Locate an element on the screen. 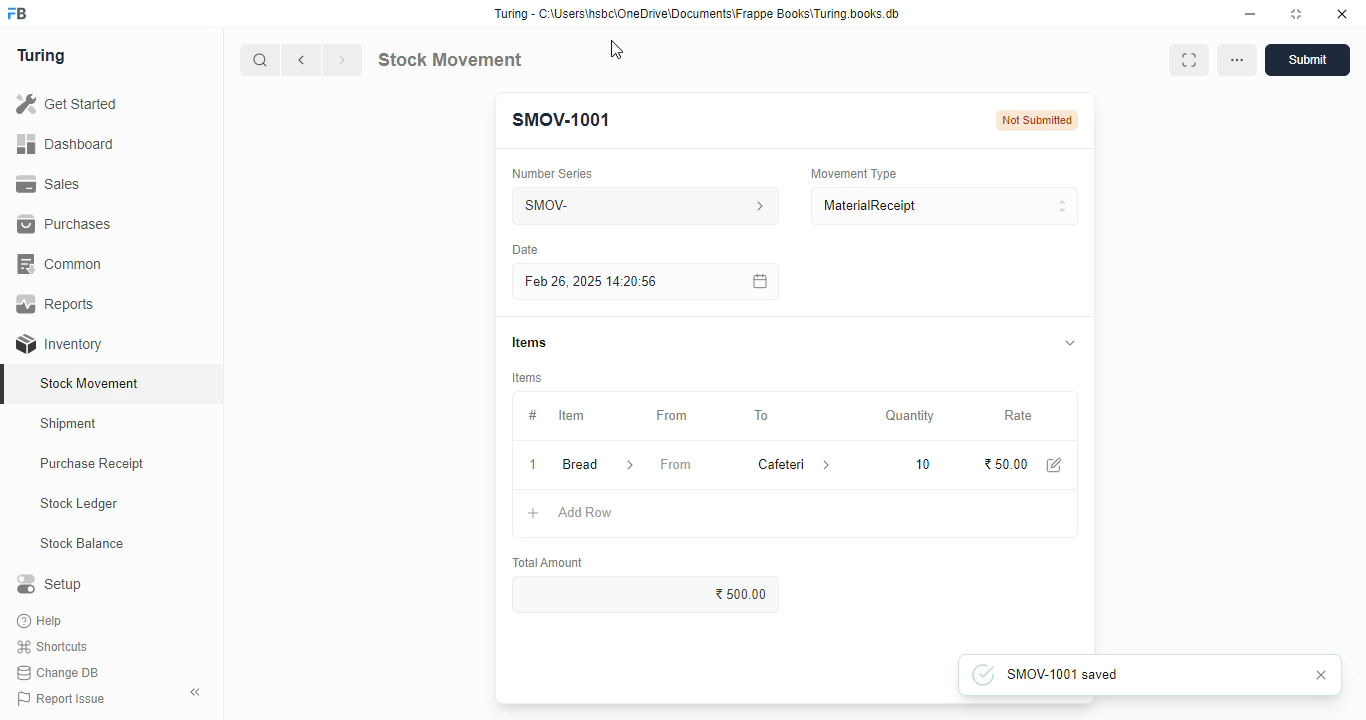 Image resolution: width=1366 pixels, height=720 pixels. purchases is located at coordinates (64, 224).